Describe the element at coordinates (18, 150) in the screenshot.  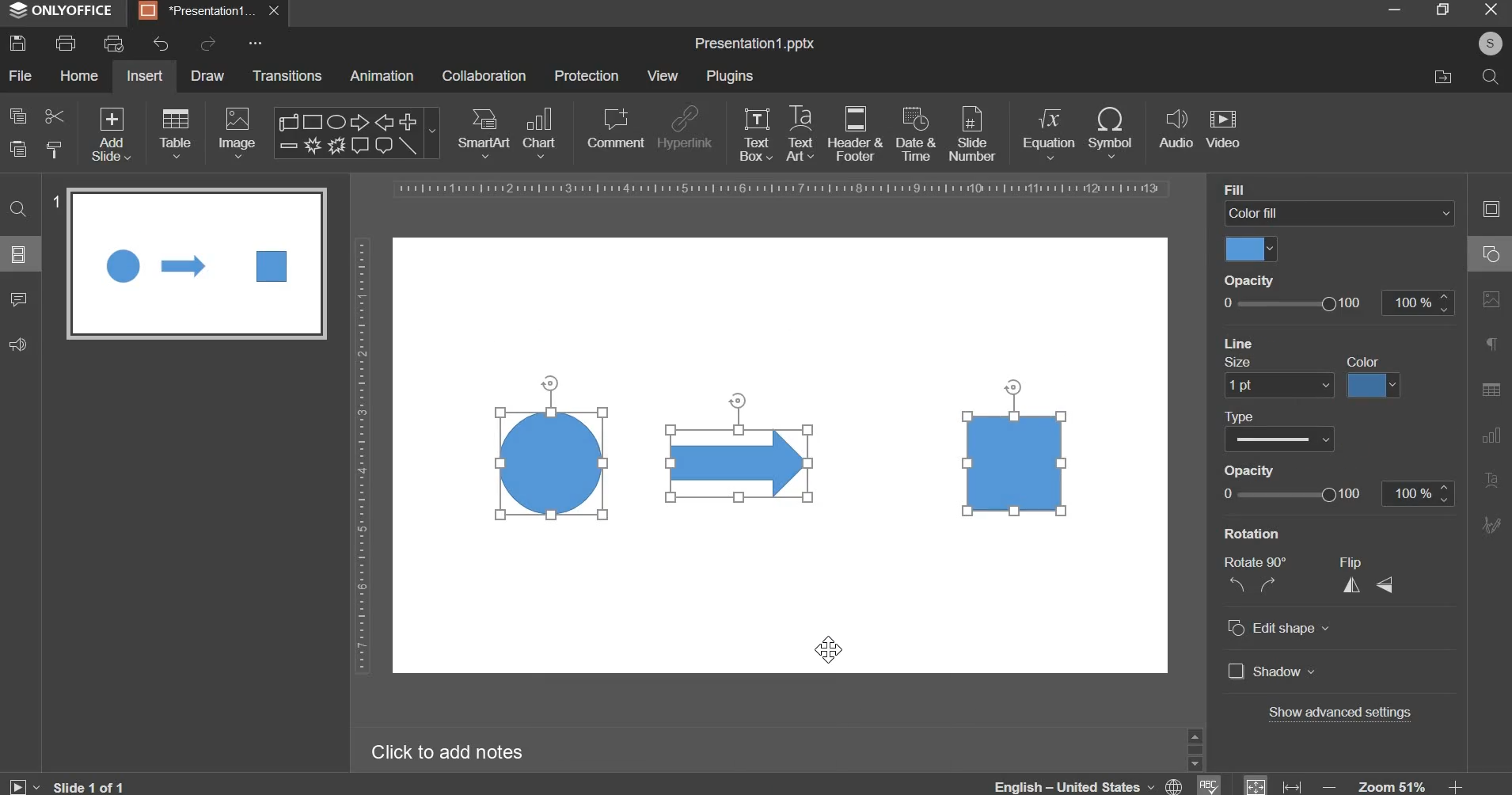
I see `paste` at that location.